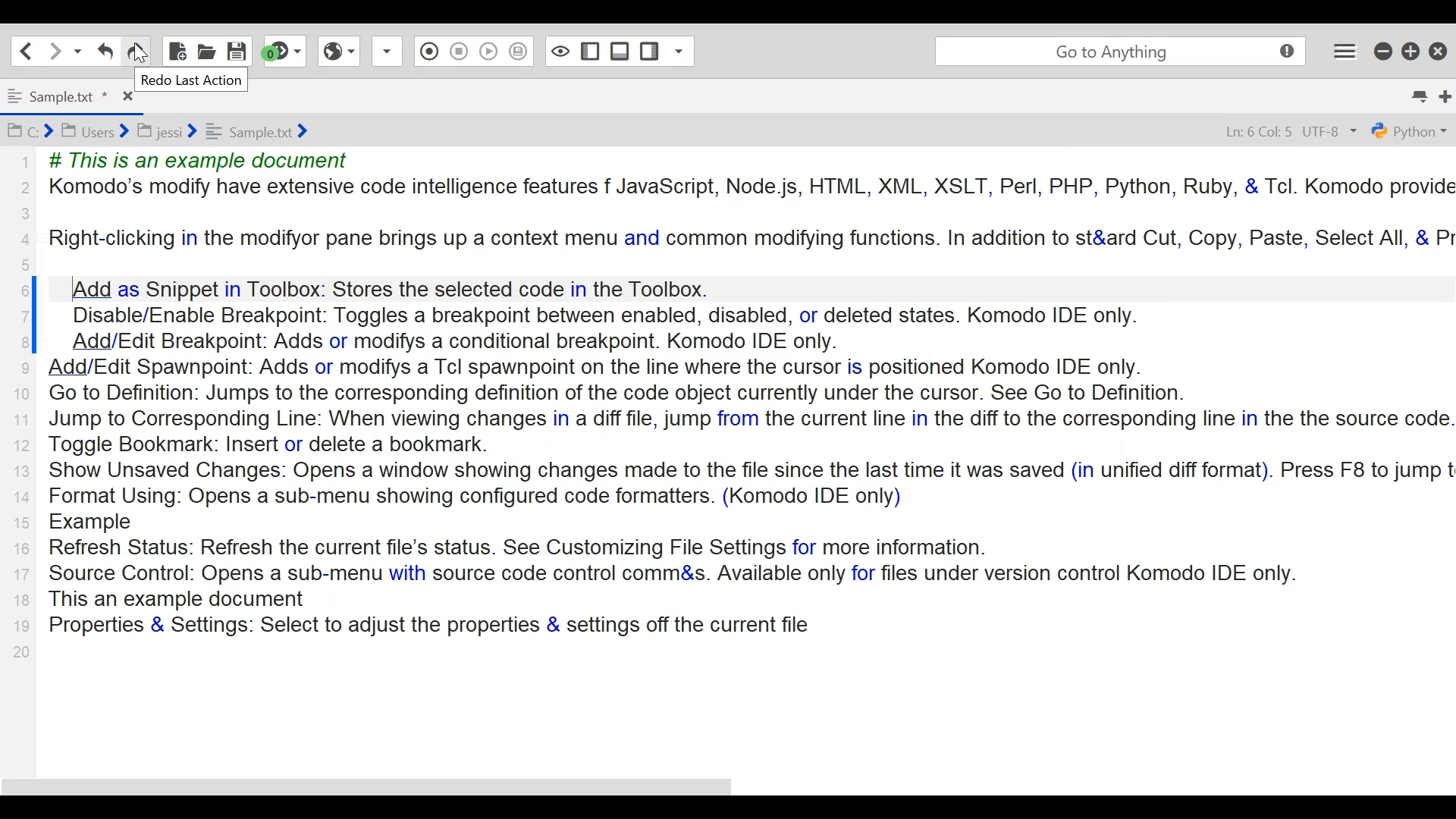 The width and height of the screenshot is (1456, 819). Describe the element at coordinates (752, 404) in the screenshot. I see `Text Entry Pane` at that location.